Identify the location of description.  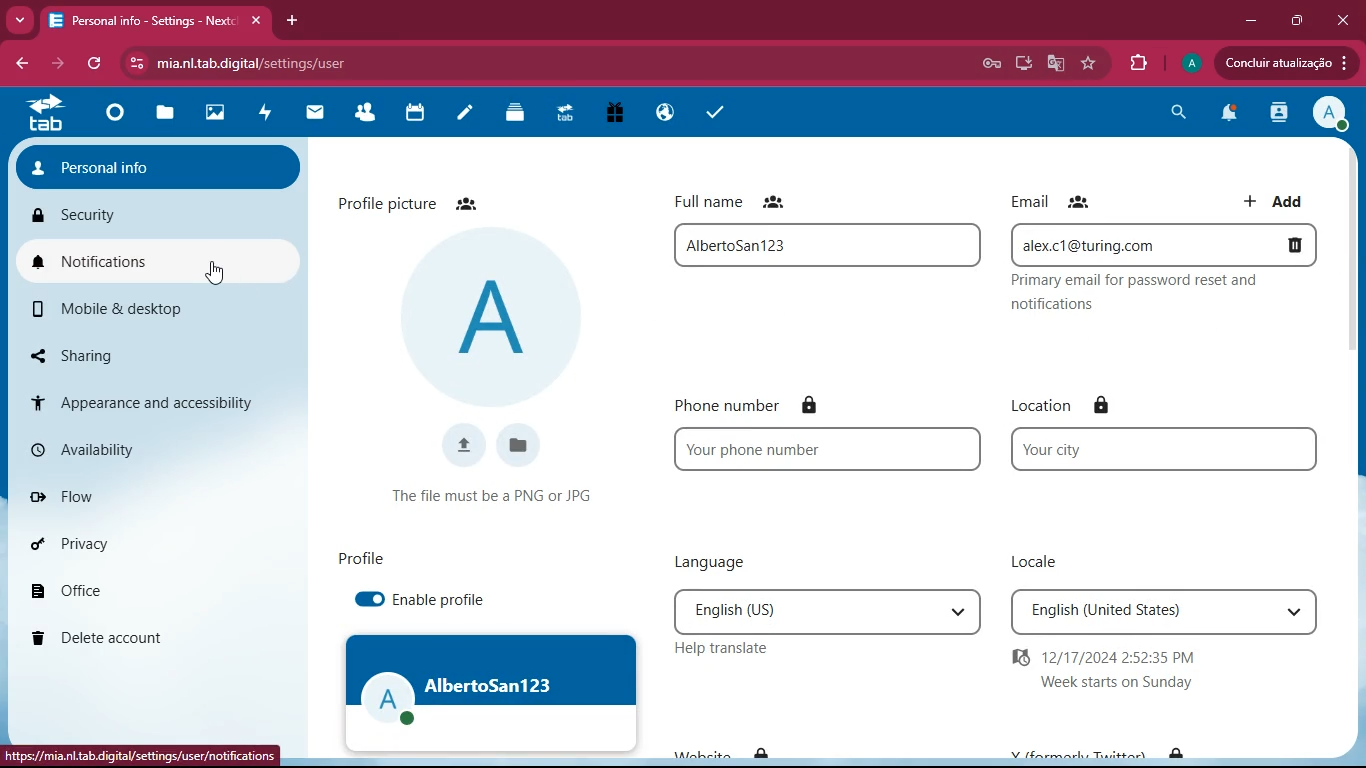
(1140, 294).